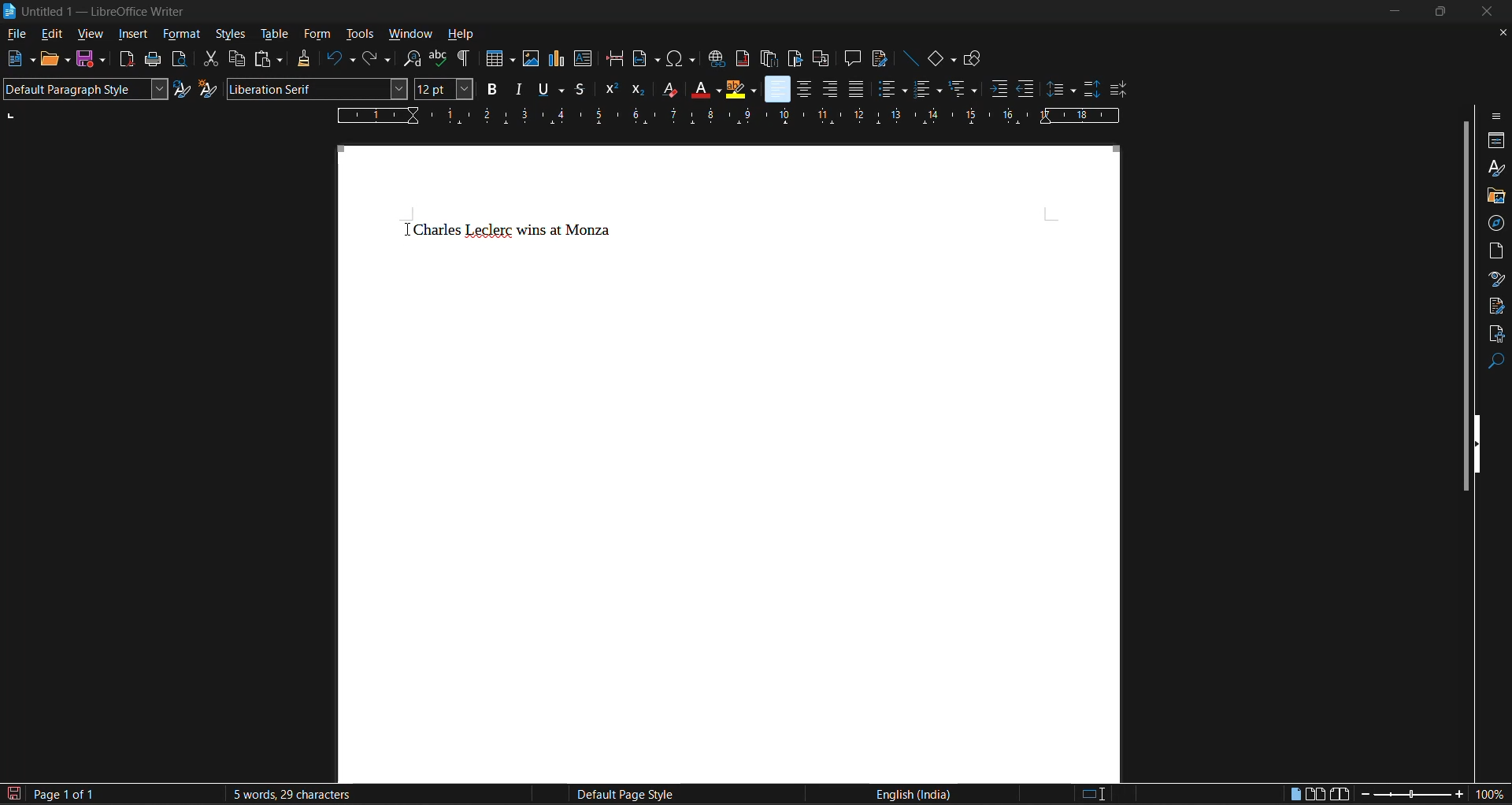 Image resolution: width=1512 pixels, height=805 pixels. Describe the element at coordinates (1397, 9) in the screenshot. I see `minimize` at that location.